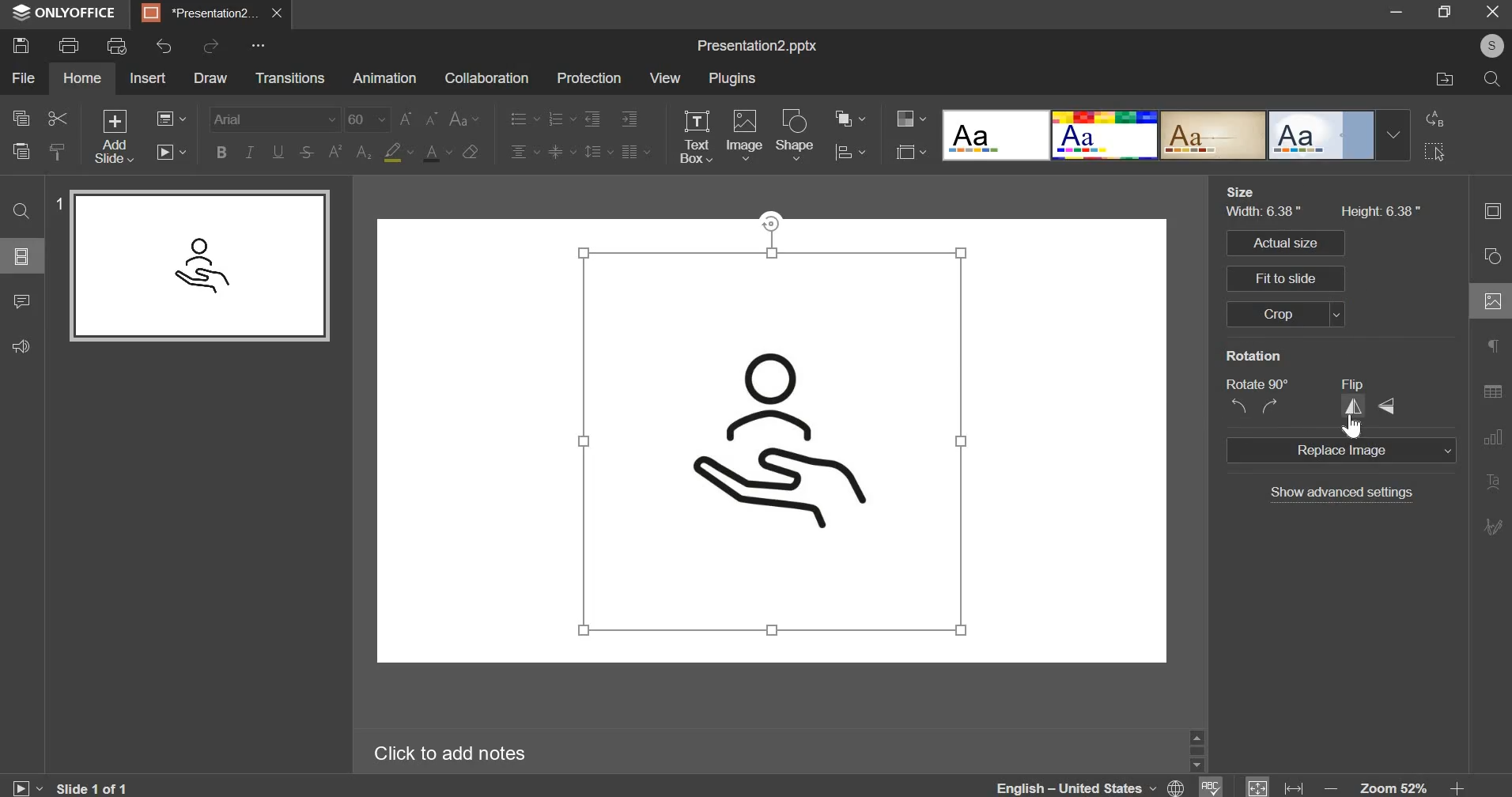 This screenshot has height=797, width=1512. What do you see at coordinates (40, 135) in the screenshot?
I see `copy, cut, paste & clear style` at bounding box center [40, 135].